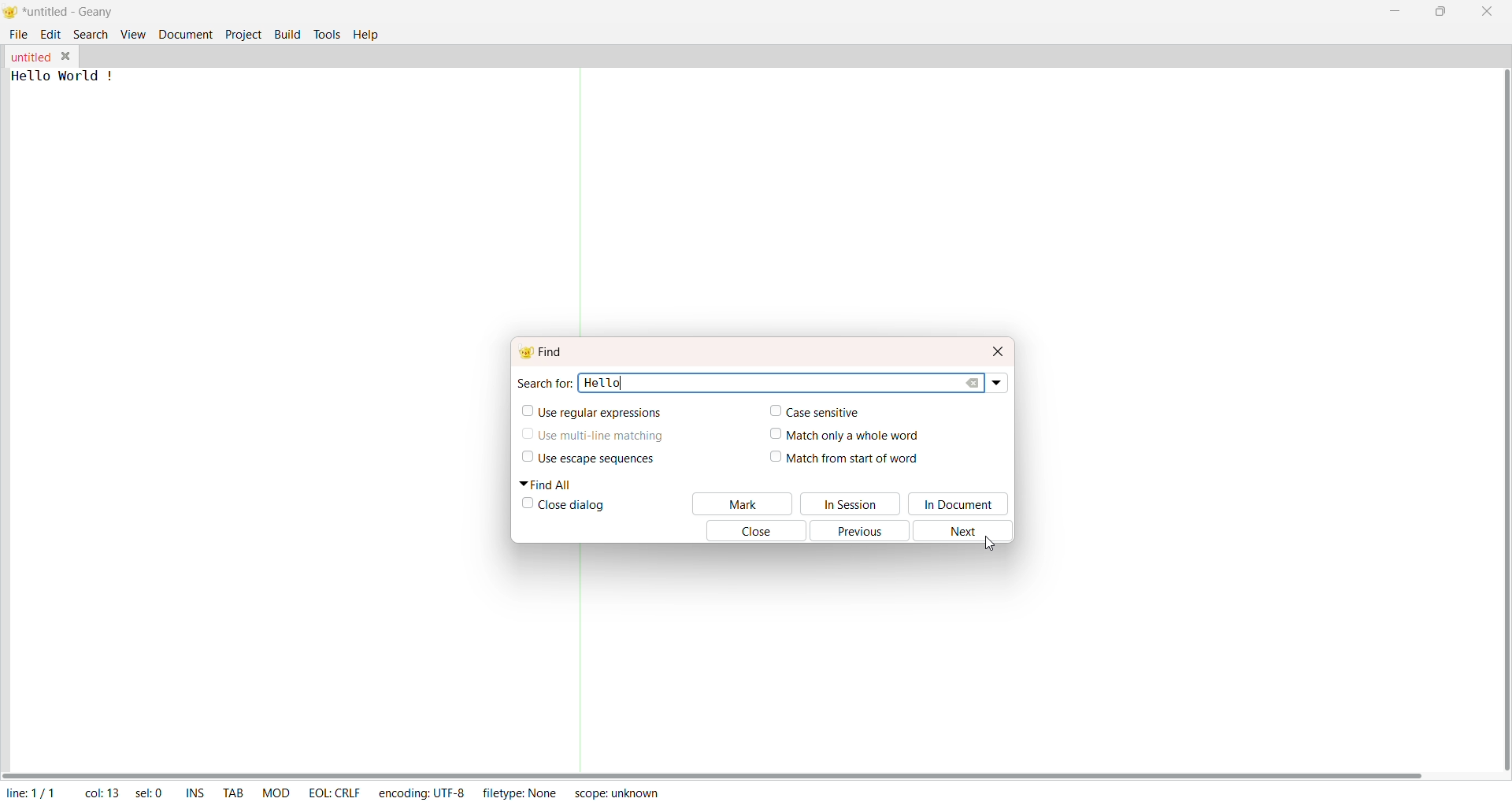  I want to click on MOD, so click(276, 791).